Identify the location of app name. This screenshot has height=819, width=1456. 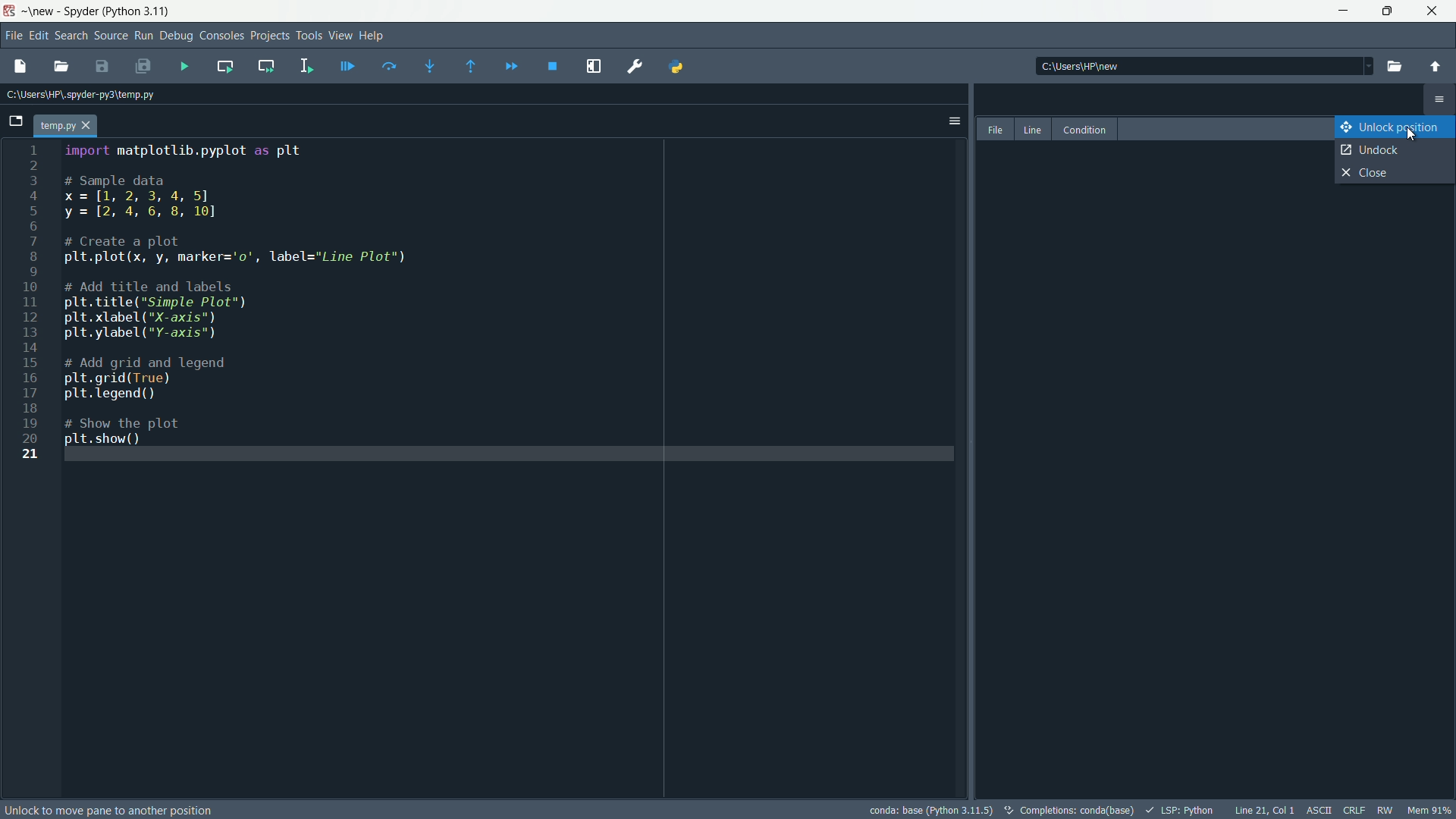
(83, 12).